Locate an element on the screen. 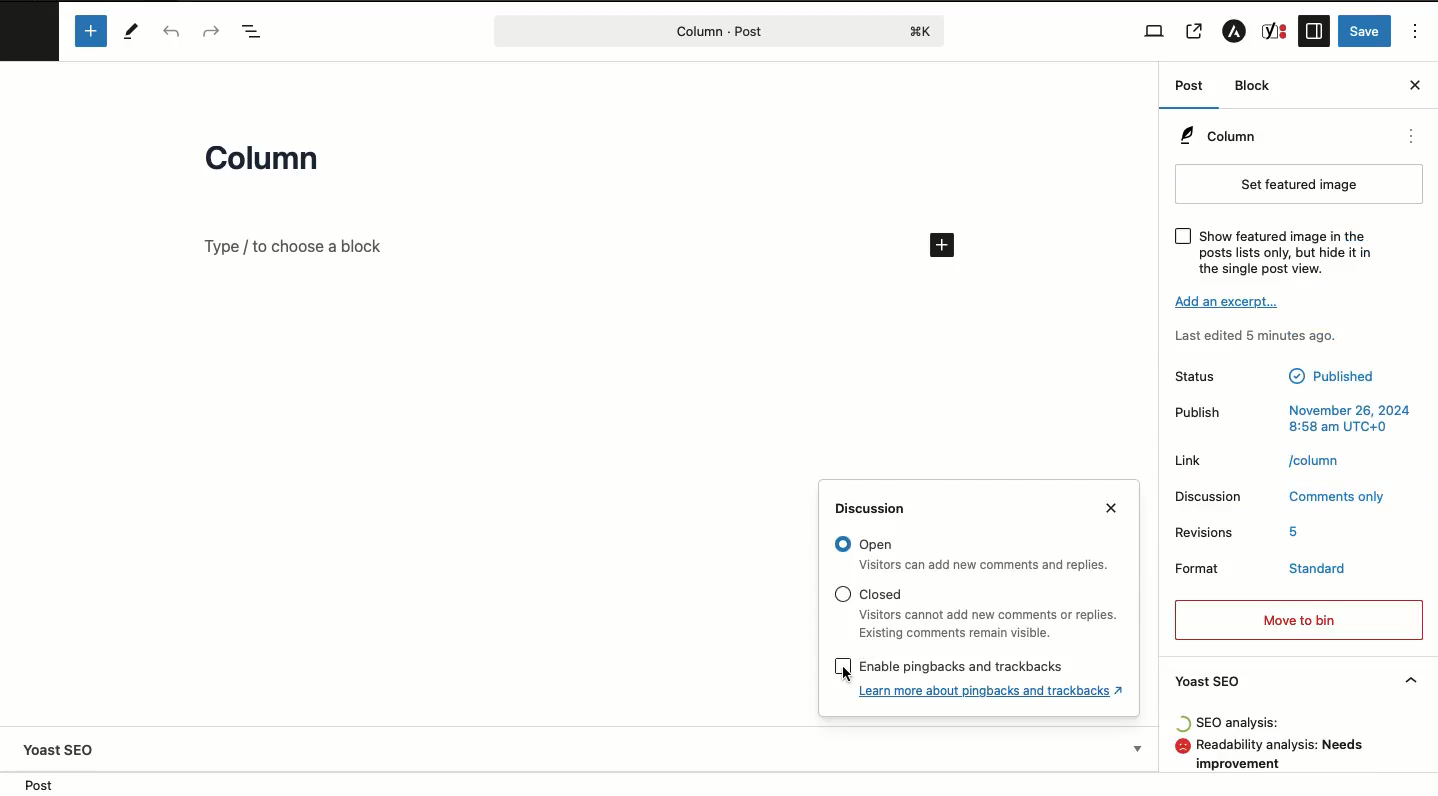  Closed is located at coordinates (989, 624).